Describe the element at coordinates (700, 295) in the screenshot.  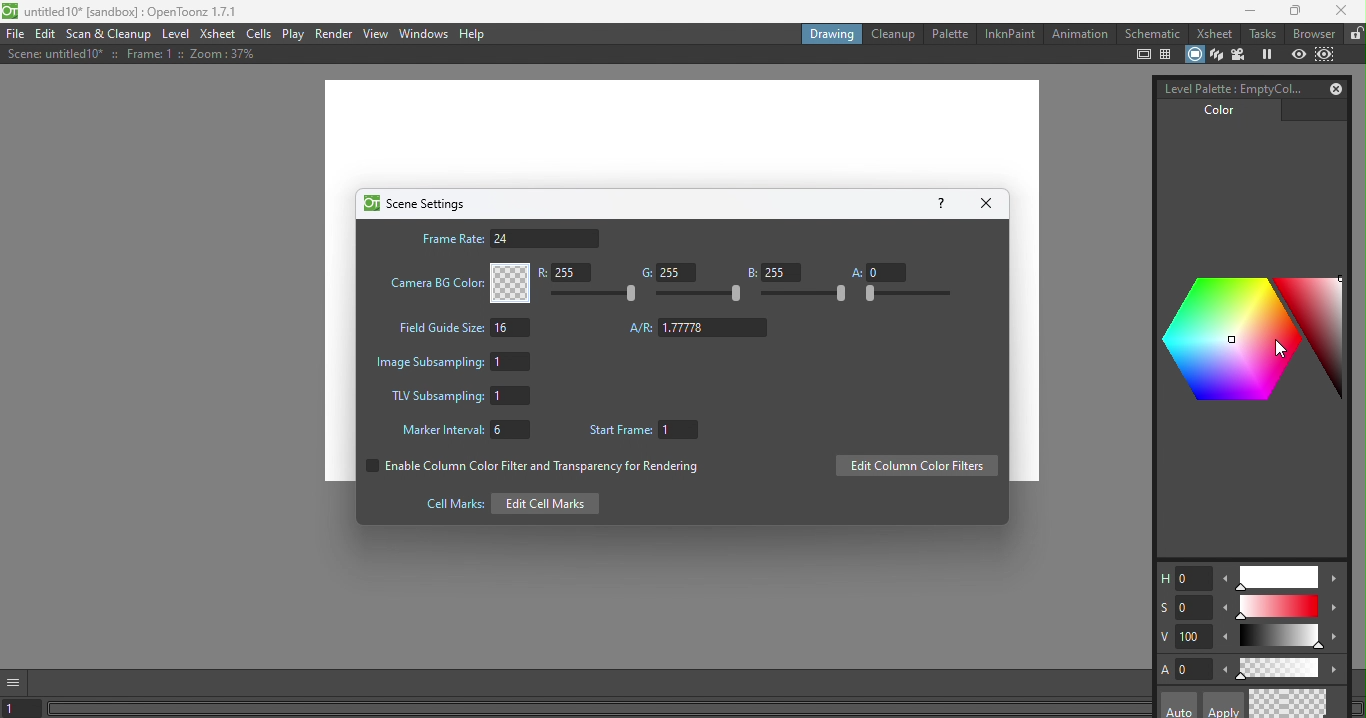
I see `Slide bar` at that location.